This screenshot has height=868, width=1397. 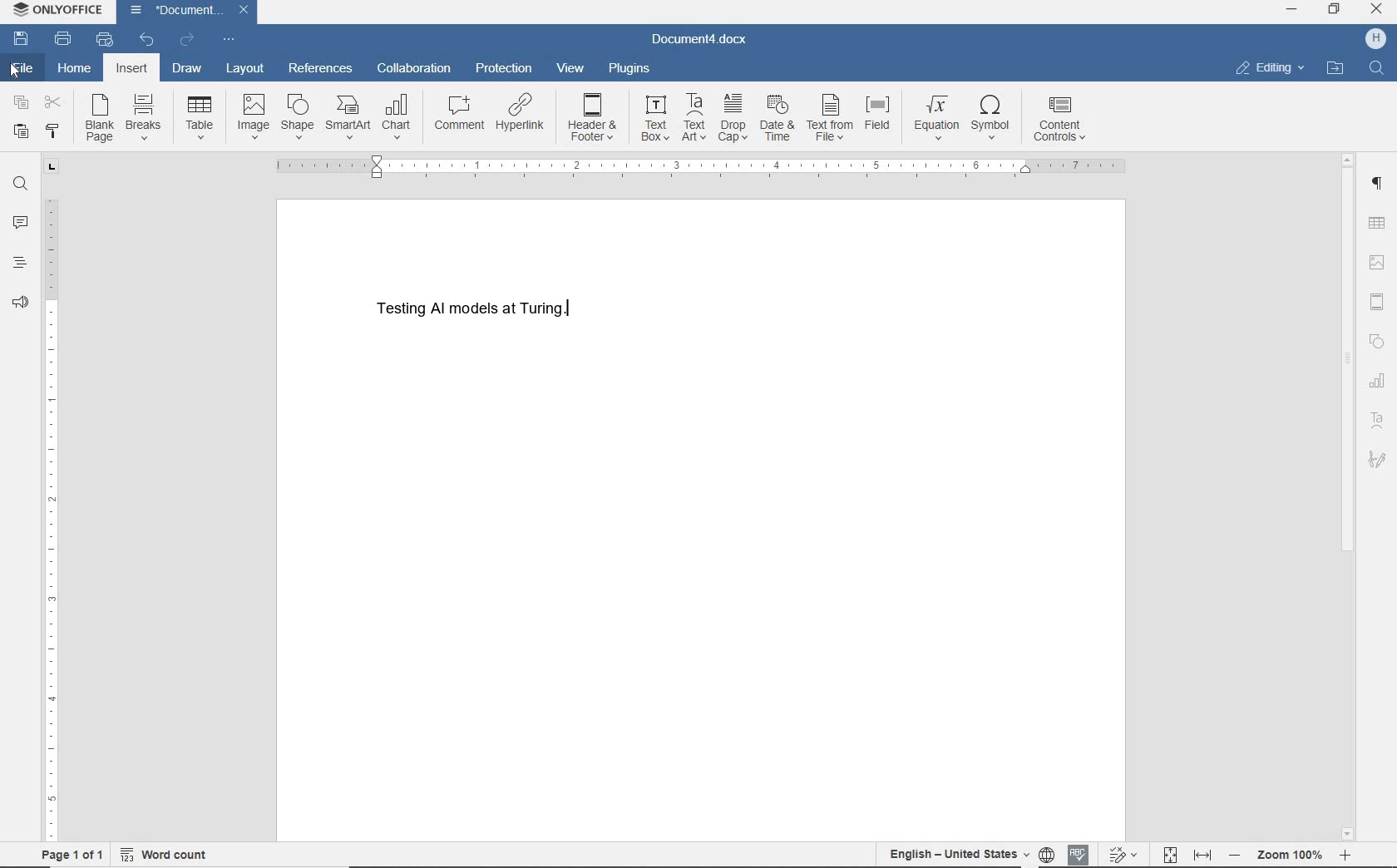 I want to click on page 1 of 1, so click(x=68, y=857).